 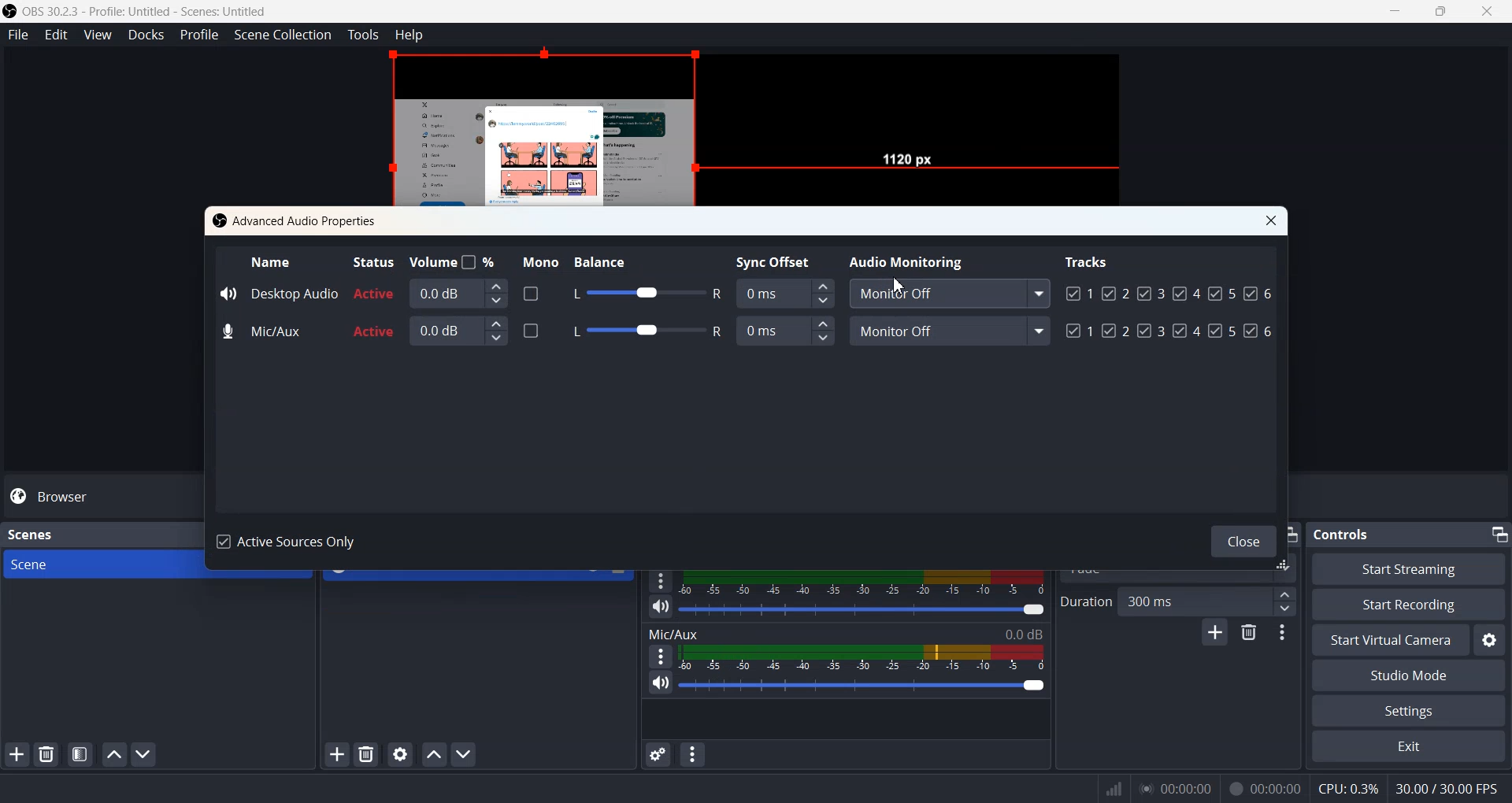 I want to click on Delete Selected Scene, so click(x=46, y=755).